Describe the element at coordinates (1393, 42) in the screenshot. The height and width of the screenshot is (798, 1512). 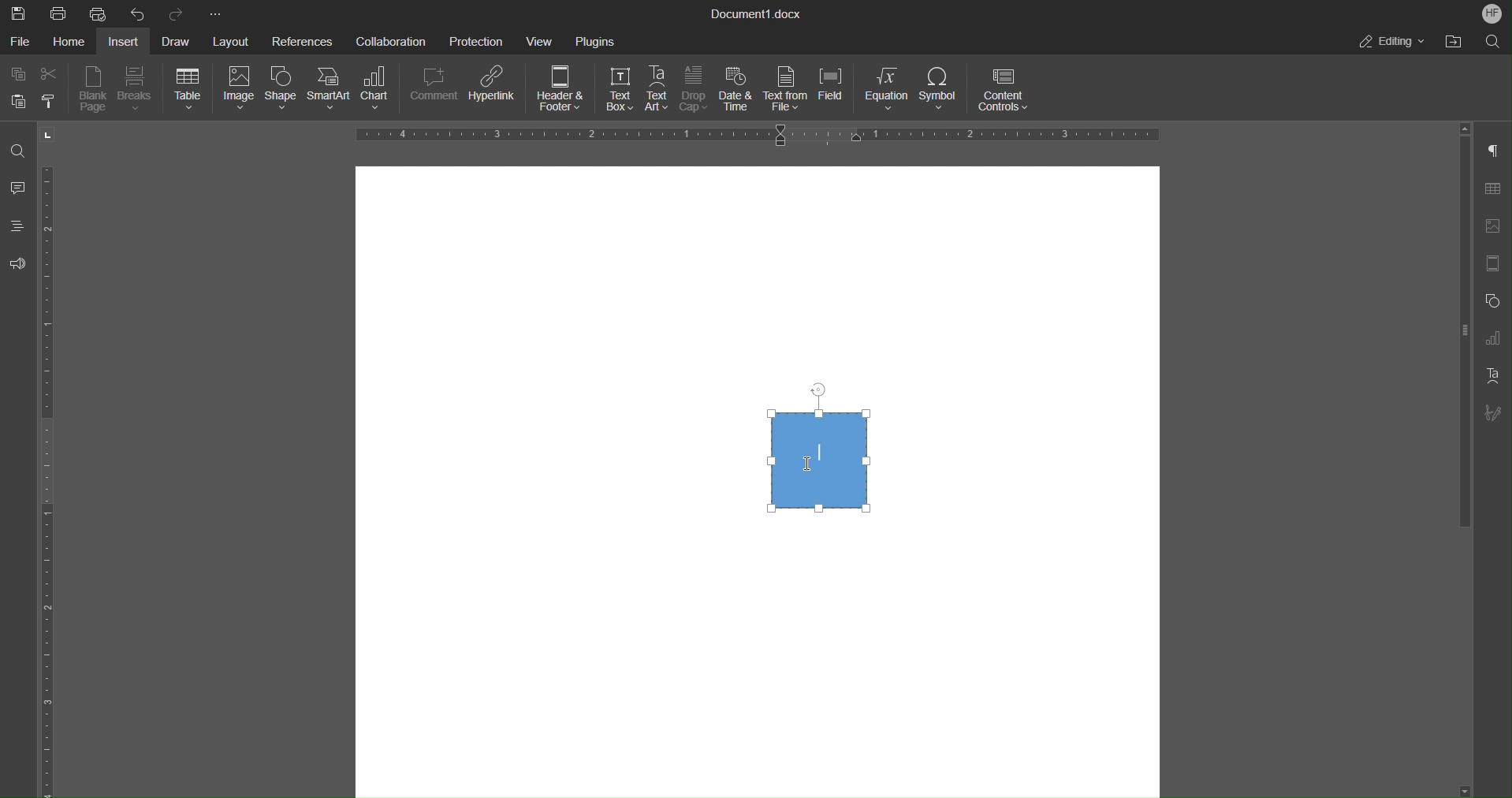
I see `Editing` at that location.